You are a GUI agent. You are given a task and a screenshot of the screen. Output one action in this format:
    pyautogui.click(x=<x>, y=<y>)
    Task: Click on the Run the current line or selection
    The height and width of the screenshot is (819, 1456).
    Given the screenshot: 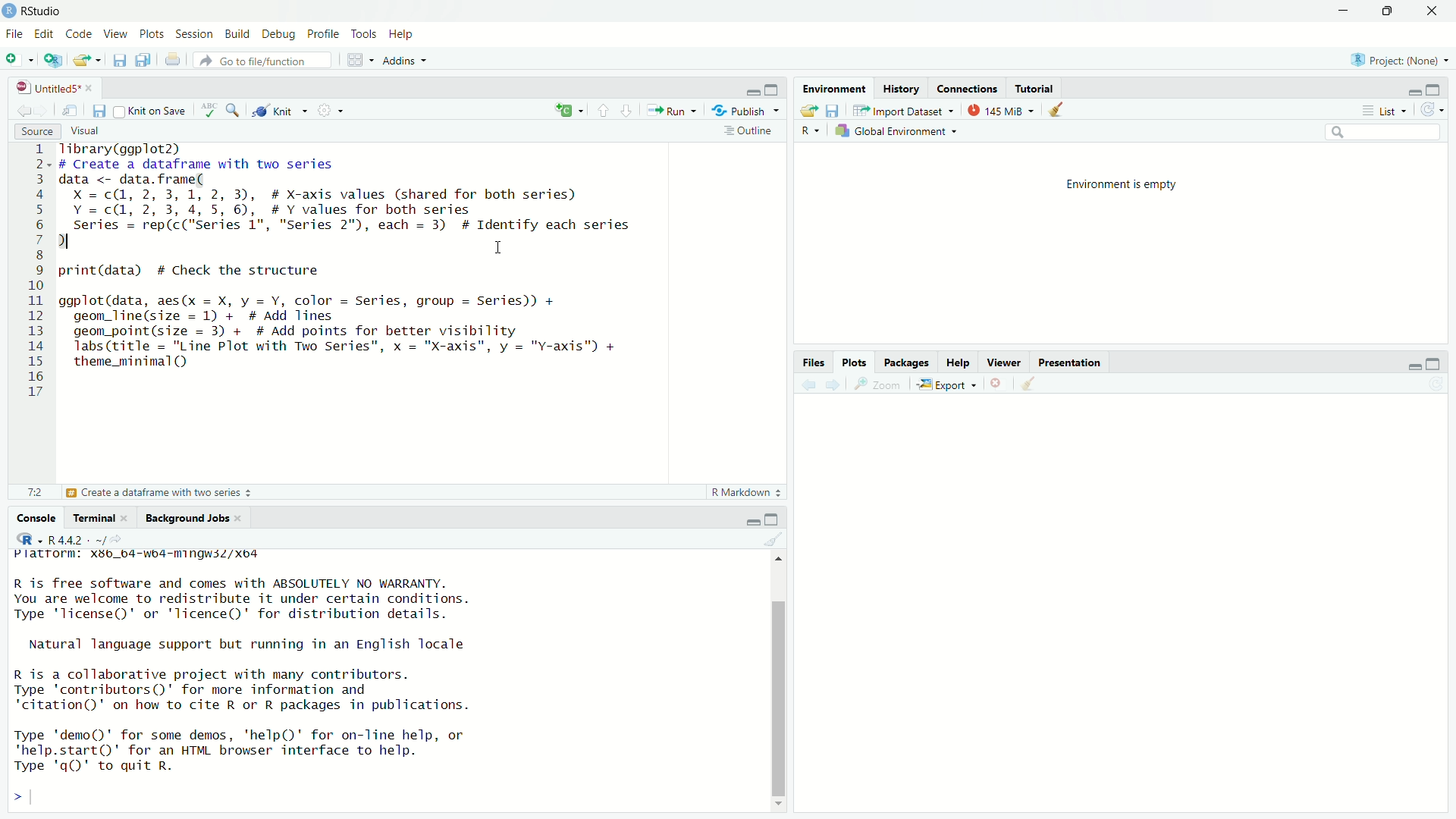 What is the action you would take?
    pyautogui.click(x=670, y=110)
    